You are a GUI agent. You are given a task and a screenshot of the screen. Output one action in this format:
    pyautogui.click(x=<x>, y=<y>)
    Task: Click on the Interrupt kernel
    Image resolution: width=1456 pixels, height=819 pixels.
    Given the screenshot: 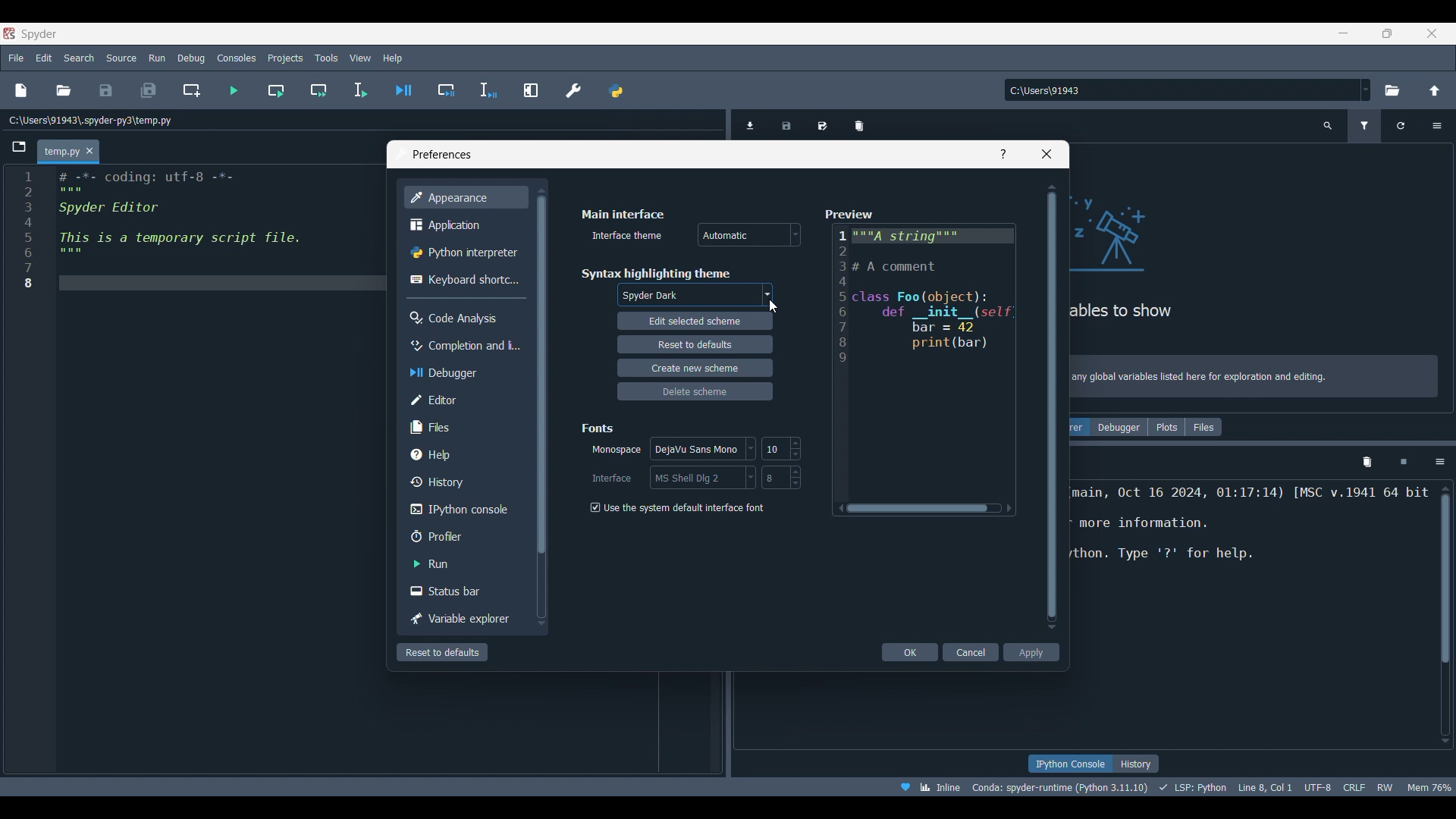 What is the action you would take?
    pyautogui.click(x=1404, y=463)
    